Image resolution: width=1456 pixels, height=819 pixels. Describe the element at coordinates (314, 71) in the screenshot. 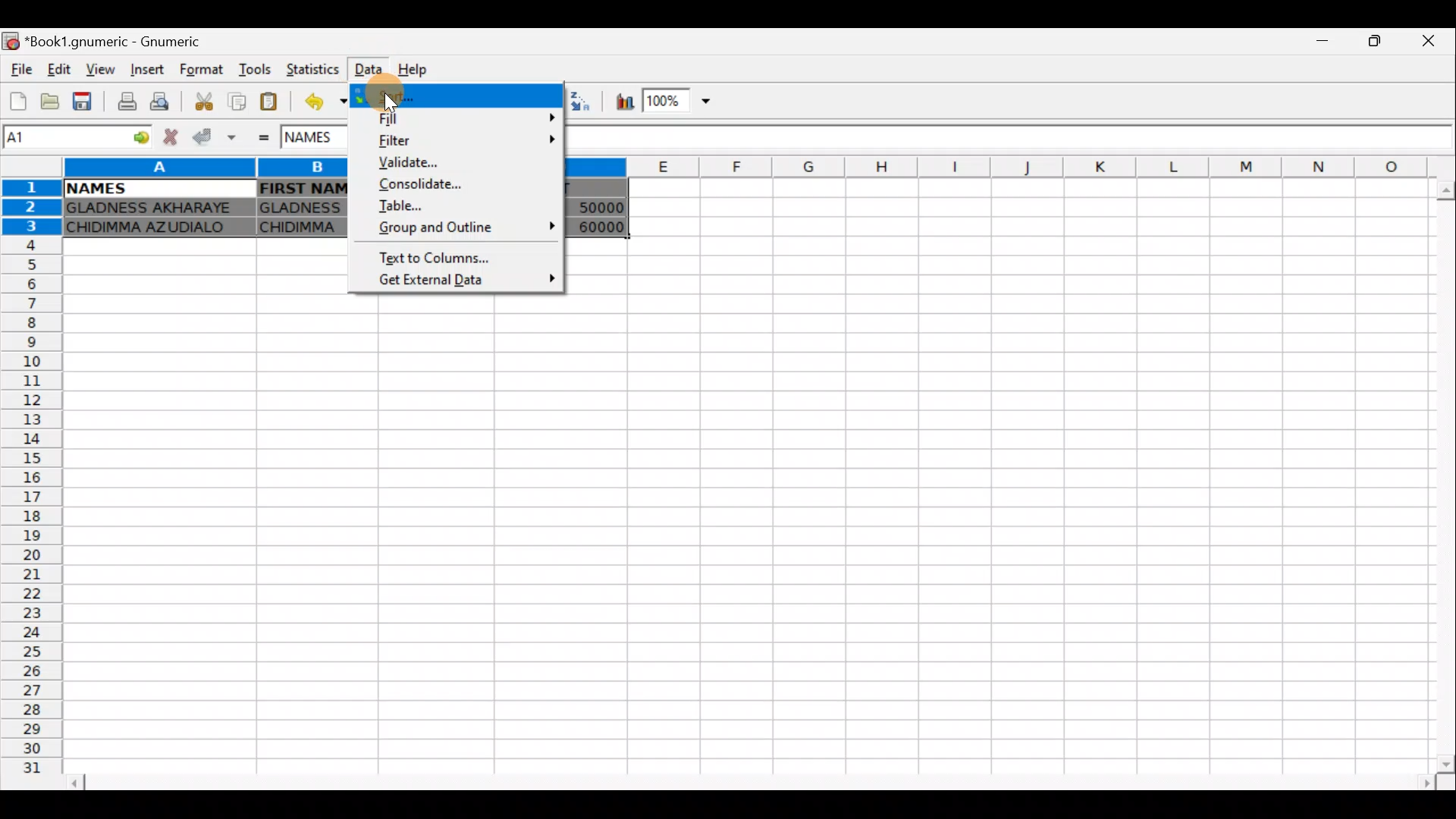

I see `Statistics` at that location.